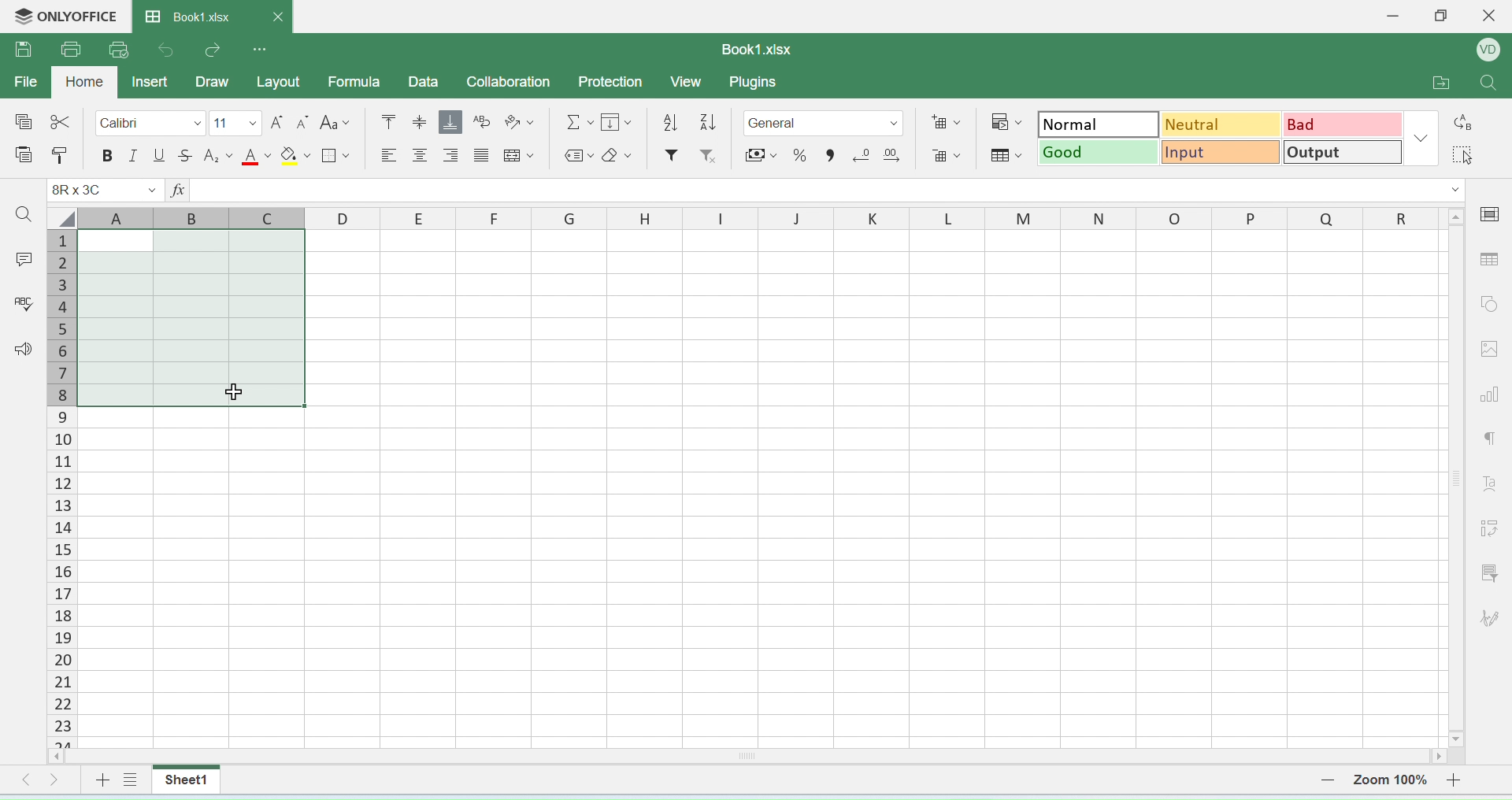  What do you see at coordinates (123, 49) in the screenshot?
I see `quick print` at bounding box center [123, 49].